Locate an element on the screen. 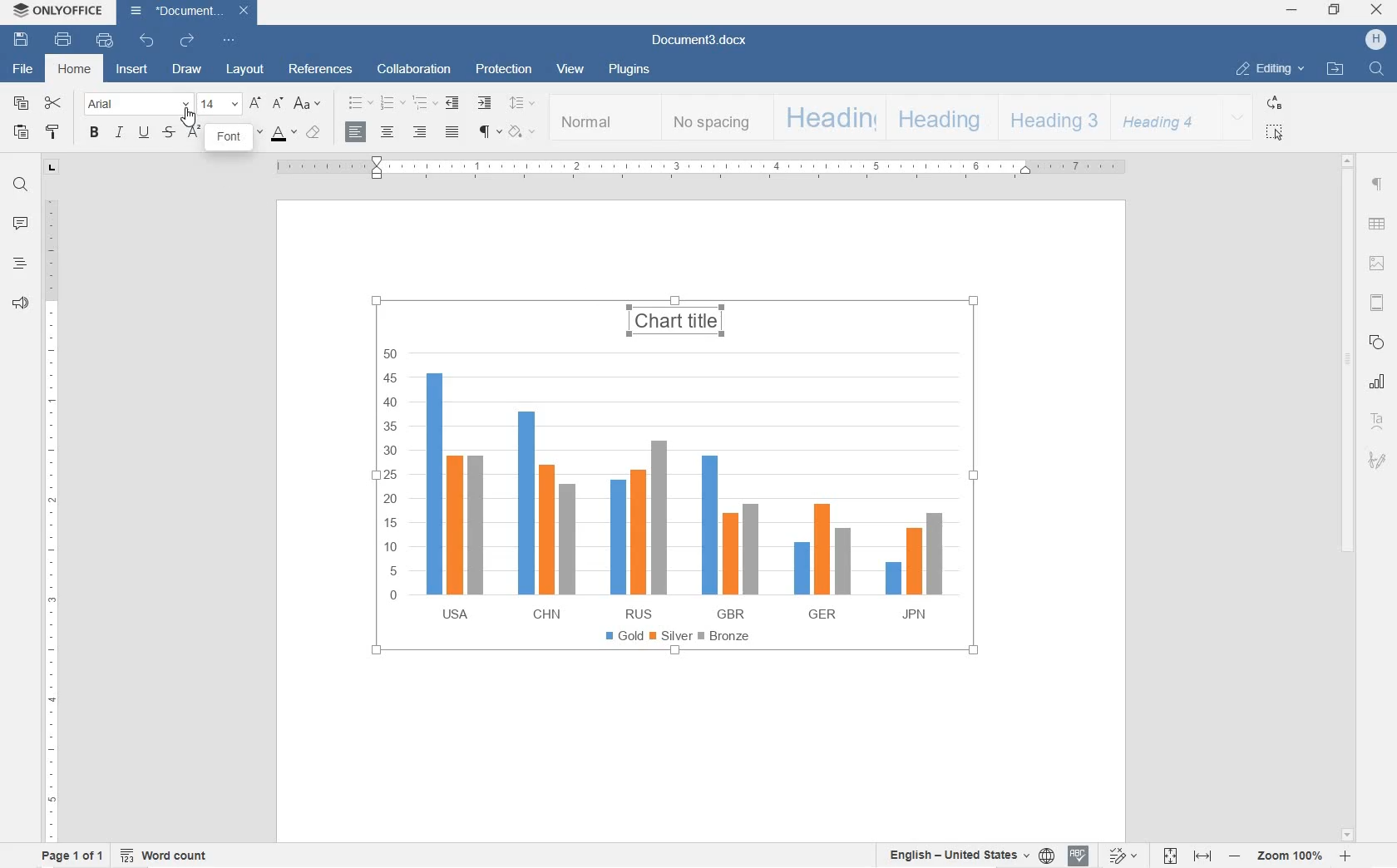 The height and width of the screenshot is (868, 1397). CUSTOMIZE QUICK ACCESS TOOLBAR is located at coordinates (227, 40).